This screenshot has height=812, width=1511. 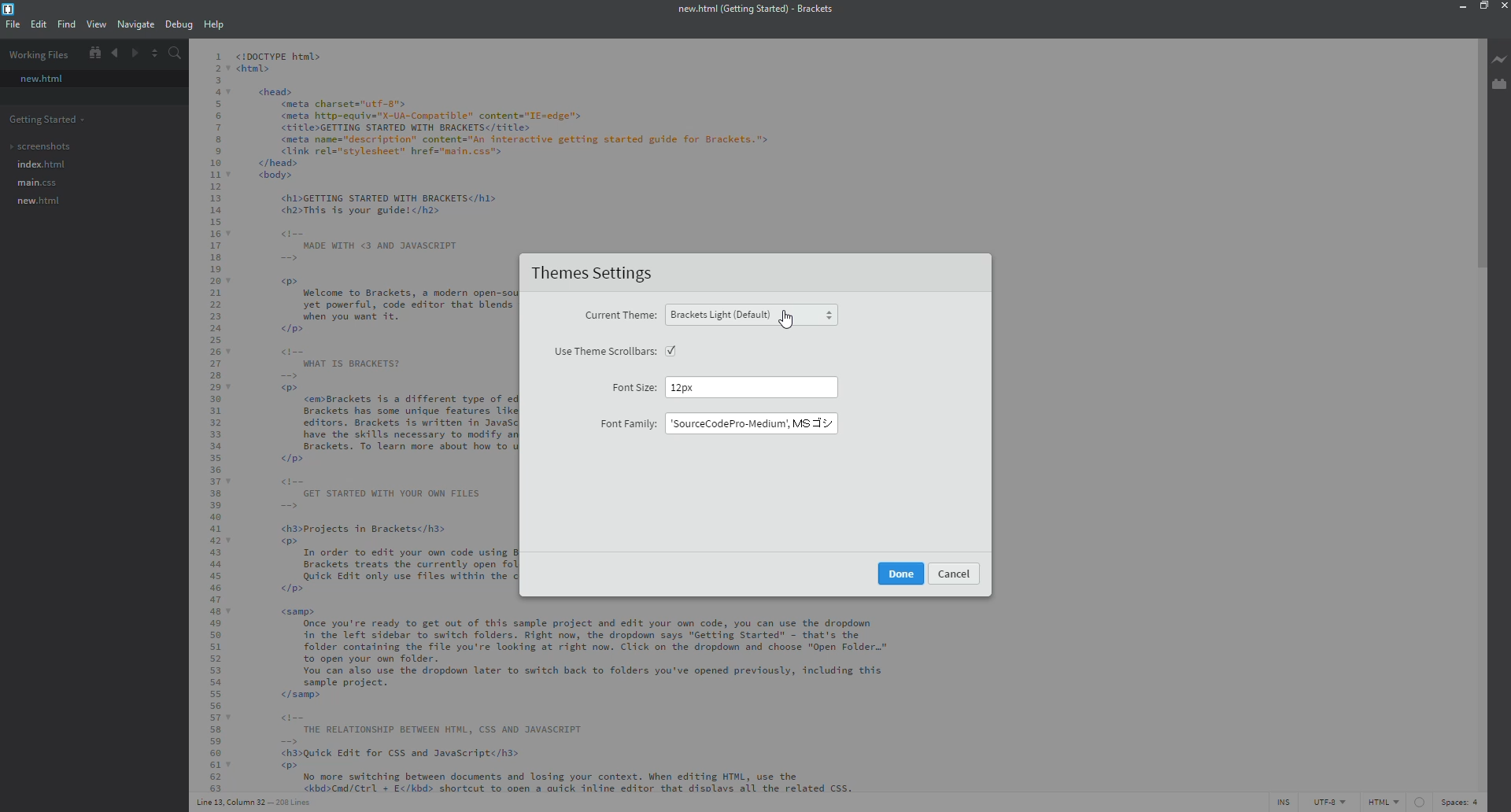 What do you see at coordinates (1499, 84) in the screenshot?
I see `extension manager` at bounding box center [1499, 84].